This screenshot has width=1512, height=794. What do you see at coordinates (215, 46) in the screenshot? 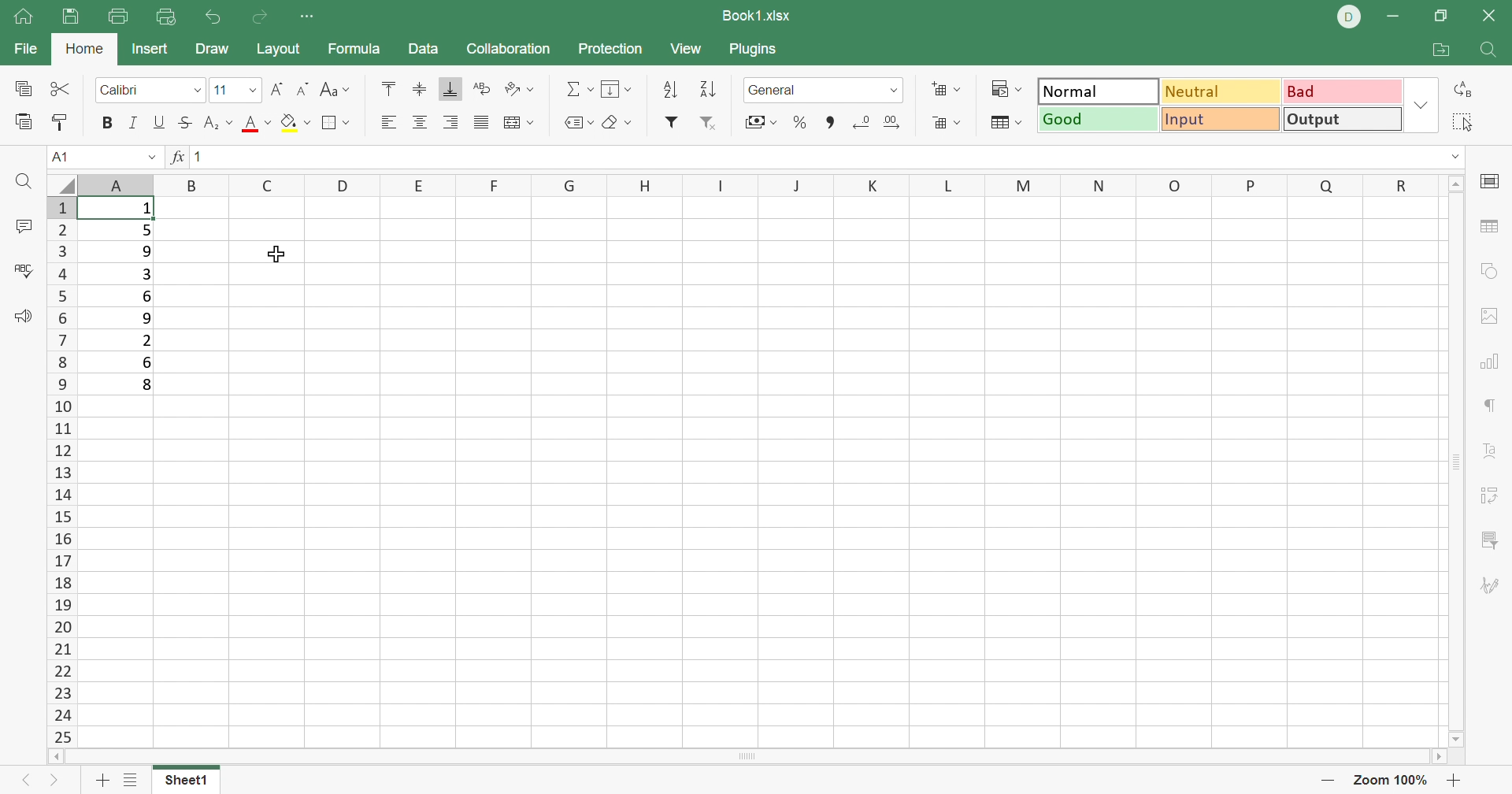
I see `Draw` at bounding box center [215, 46].